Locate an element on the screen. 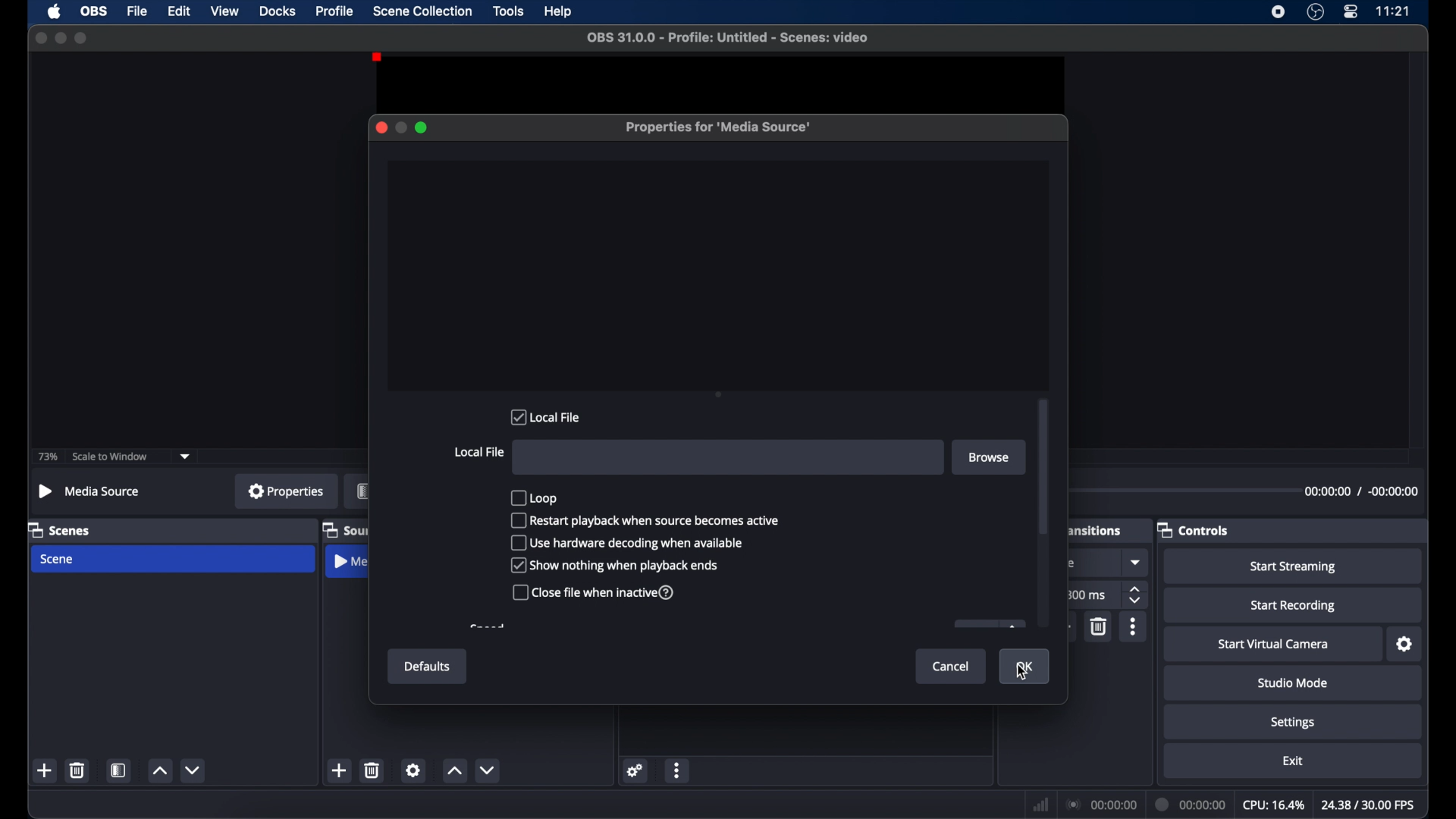  control center is located at coordinates (1350, 12).